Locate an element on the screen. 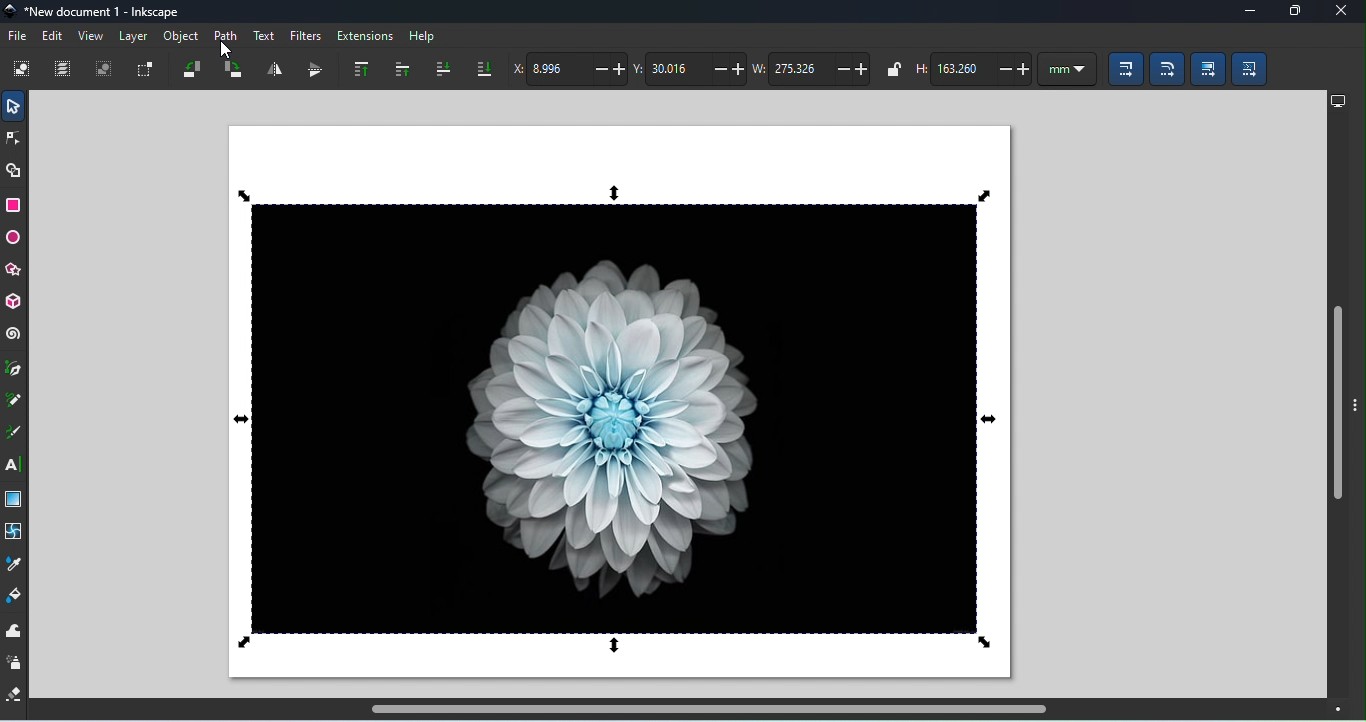 The height and width of the screenshot is (722, 1366). paint bucket tool is located at coordinates (15, 596).